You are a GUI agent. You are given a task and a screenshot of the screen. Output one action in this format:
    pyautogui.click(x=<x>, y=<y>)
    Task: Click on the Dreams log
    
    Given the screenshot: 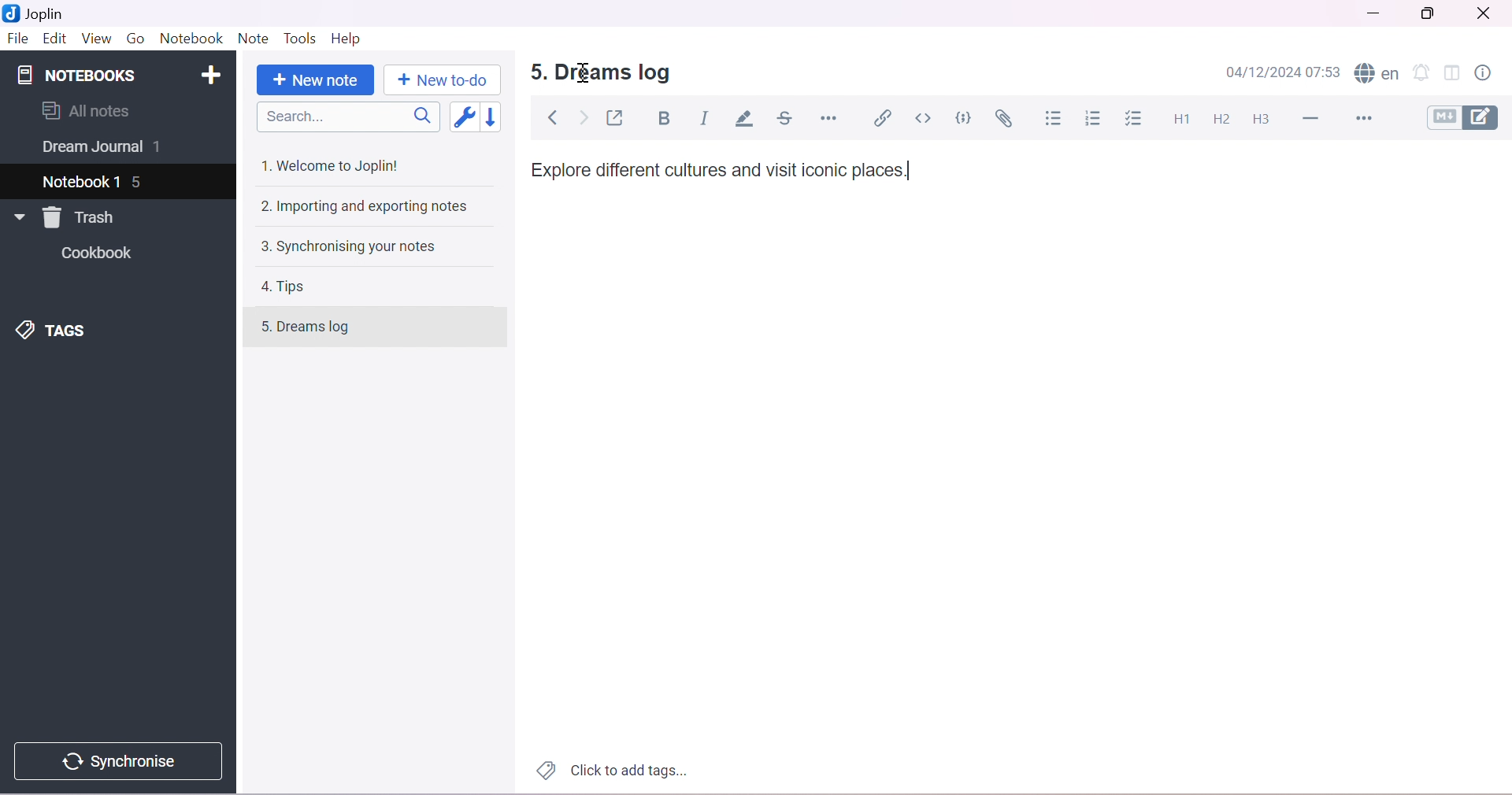 What is the action you would take?
    pyautogui.click(x=322, y=328)
    